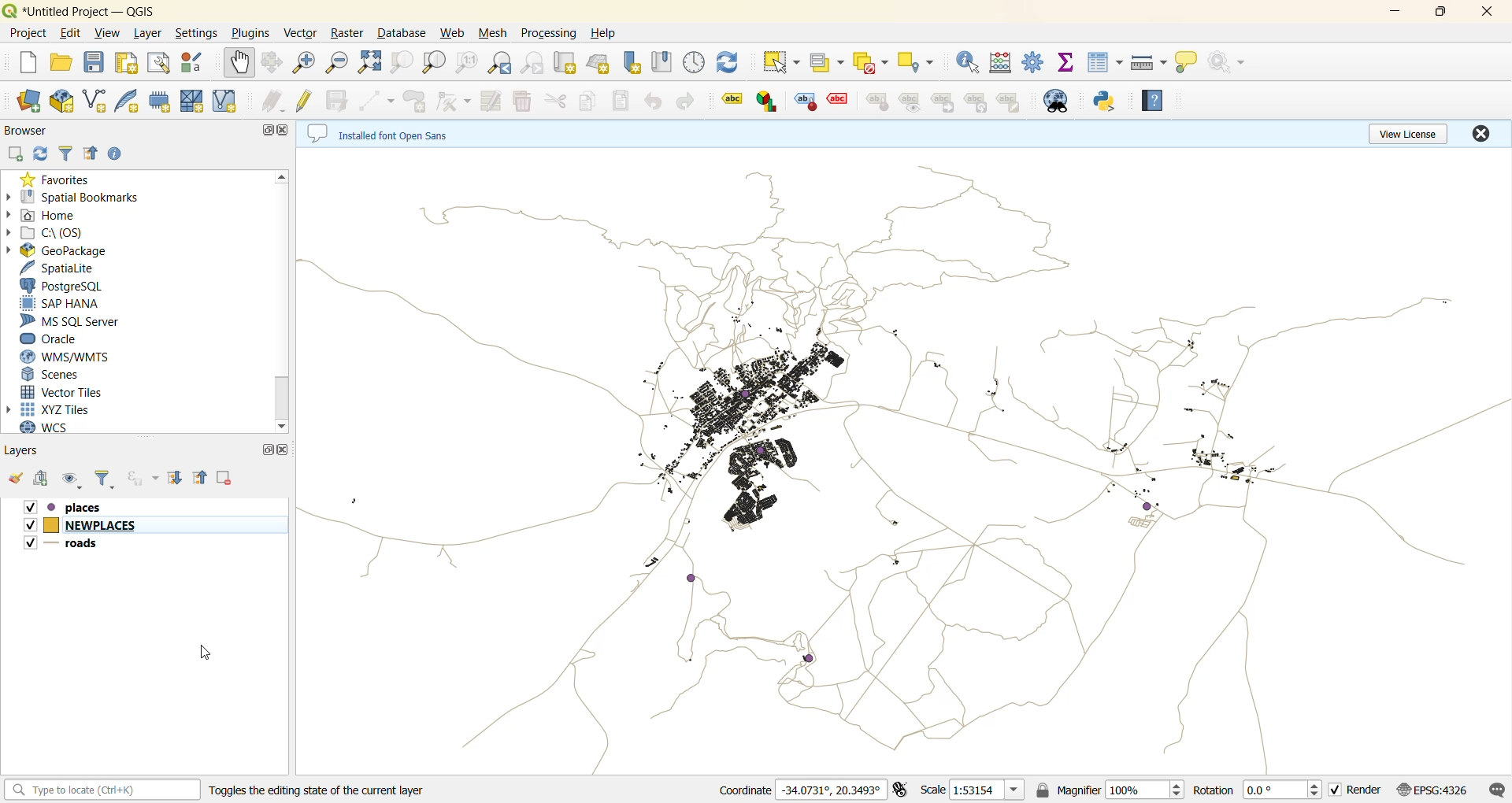  What do you see at coordinates (1034, 62) in the screenshot?
I see `toolbox` at bounding box center [1034, 62].